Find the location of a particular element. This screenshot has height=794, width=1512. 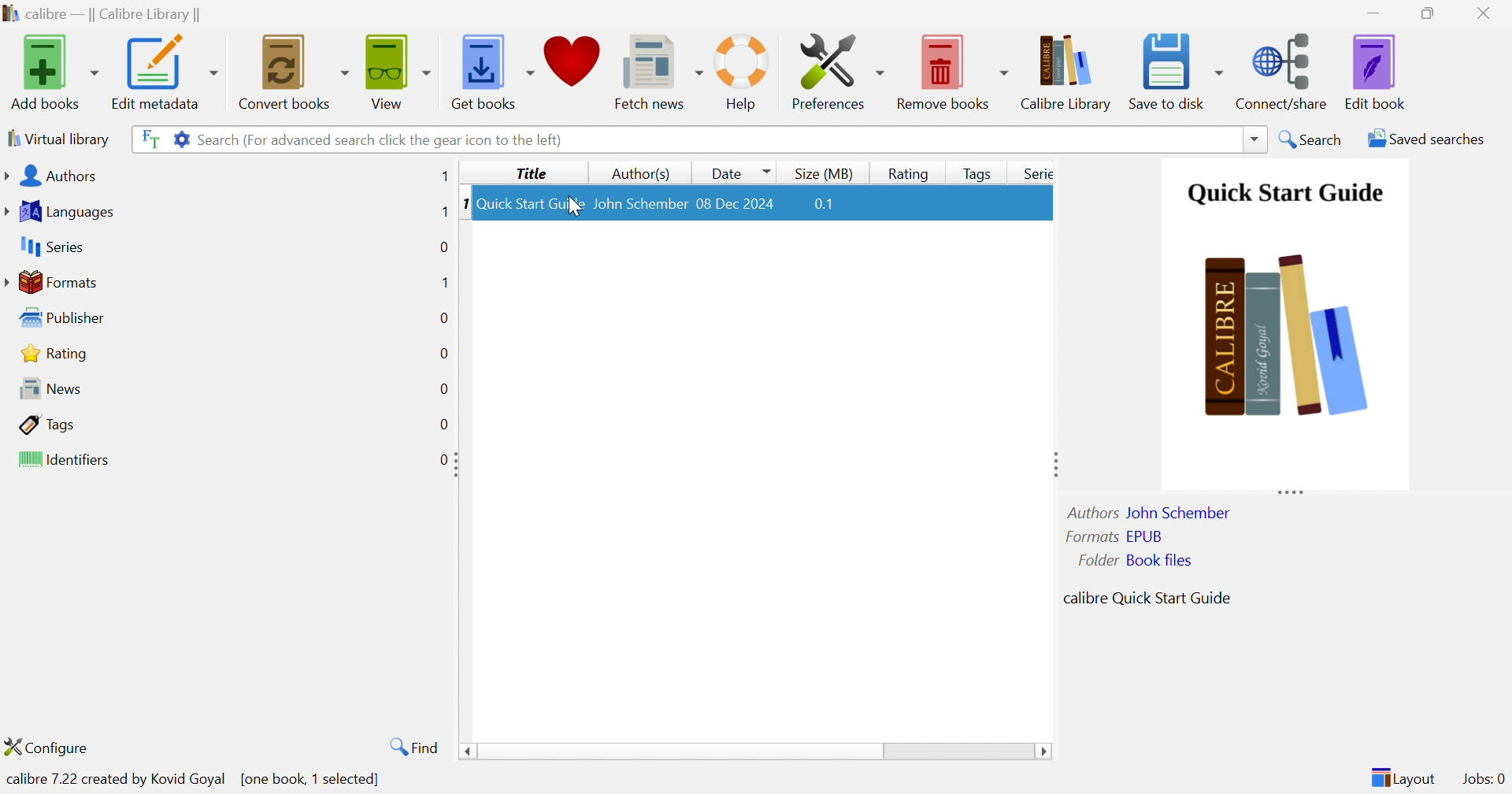

Convert books is located at coordinates (293, 70).